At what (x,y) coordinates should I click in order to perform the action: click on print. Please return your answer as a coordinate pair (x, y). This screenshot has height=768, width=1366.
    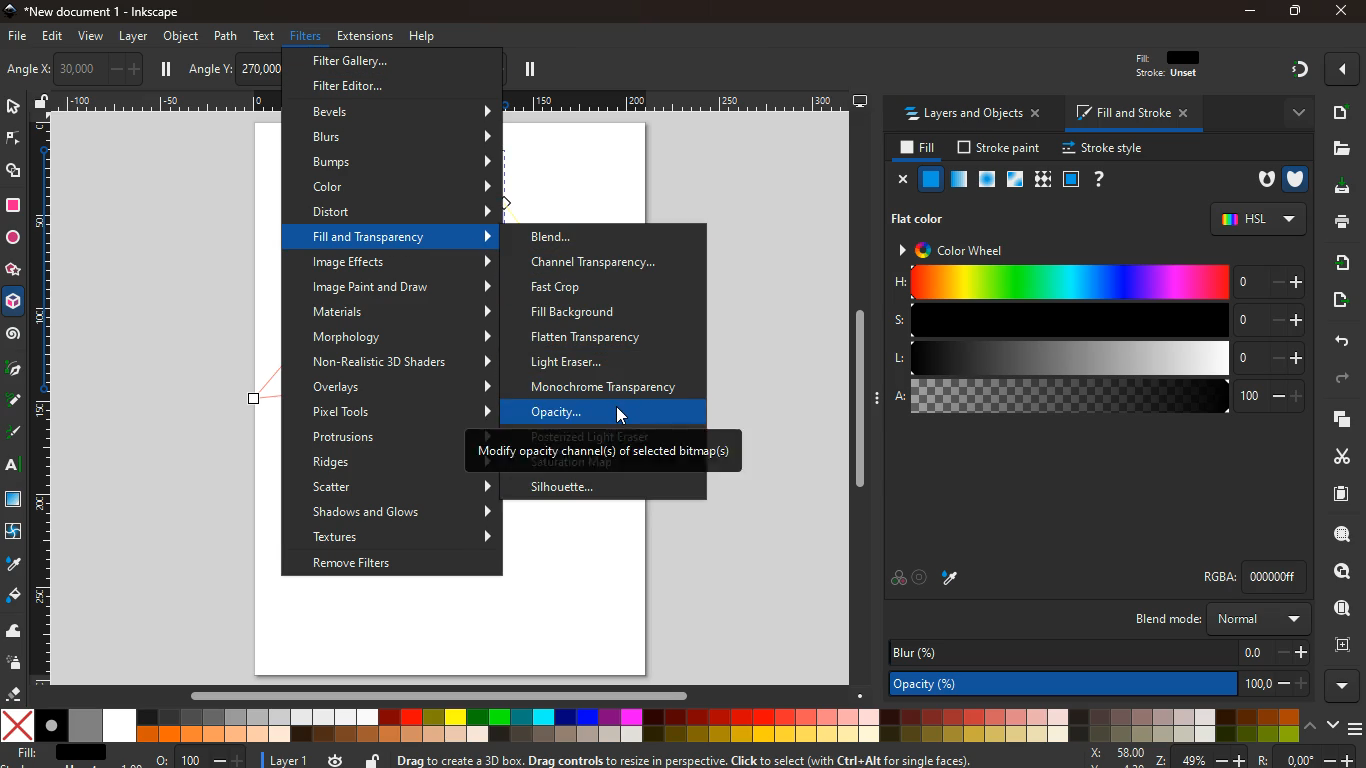
    Looking at the image, I should click on (1339, 223).